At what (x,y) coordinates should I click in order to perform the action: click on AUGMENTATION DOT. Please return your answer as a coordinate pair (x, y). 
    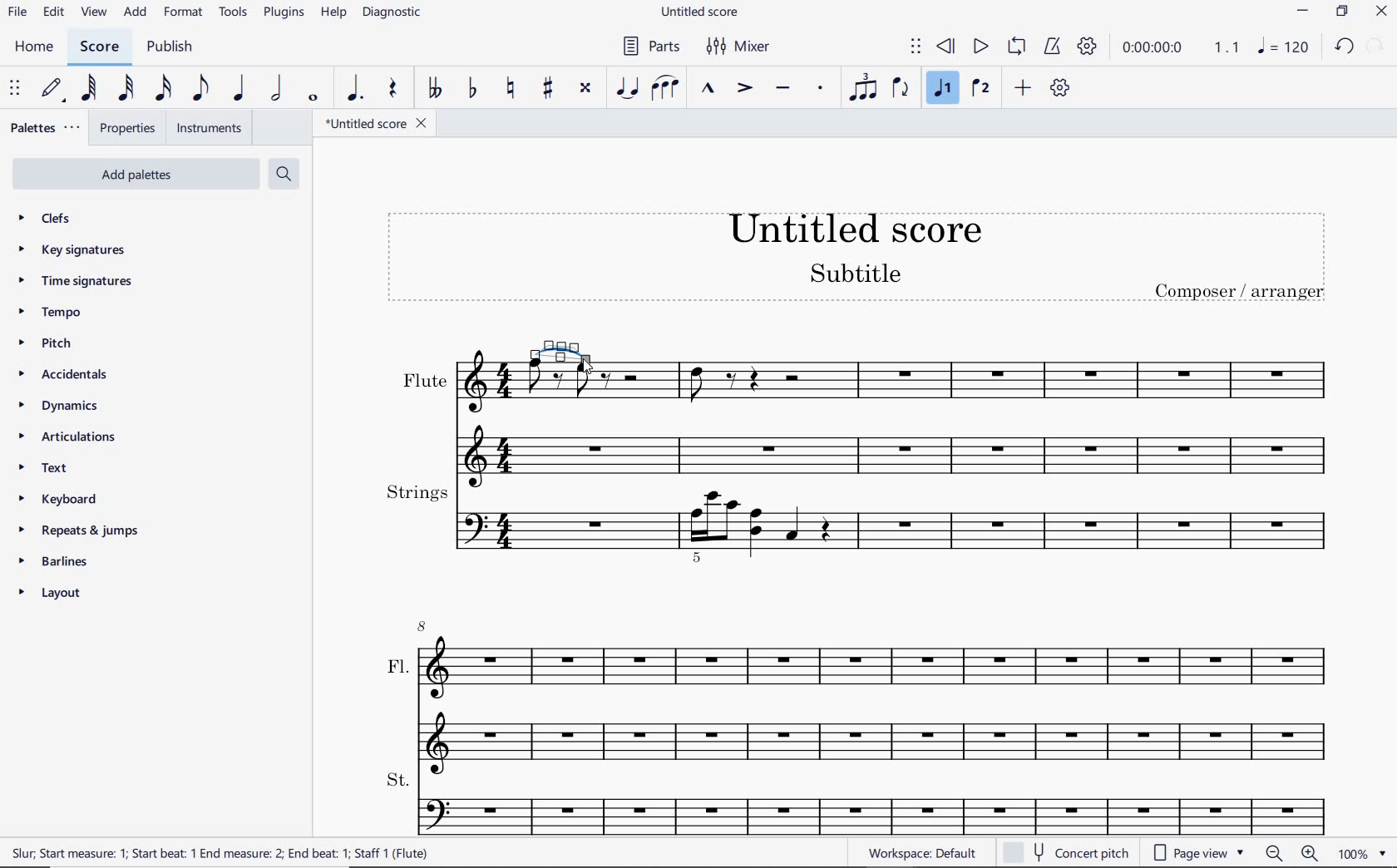
    Looking at the image, I should click on (355, 89).